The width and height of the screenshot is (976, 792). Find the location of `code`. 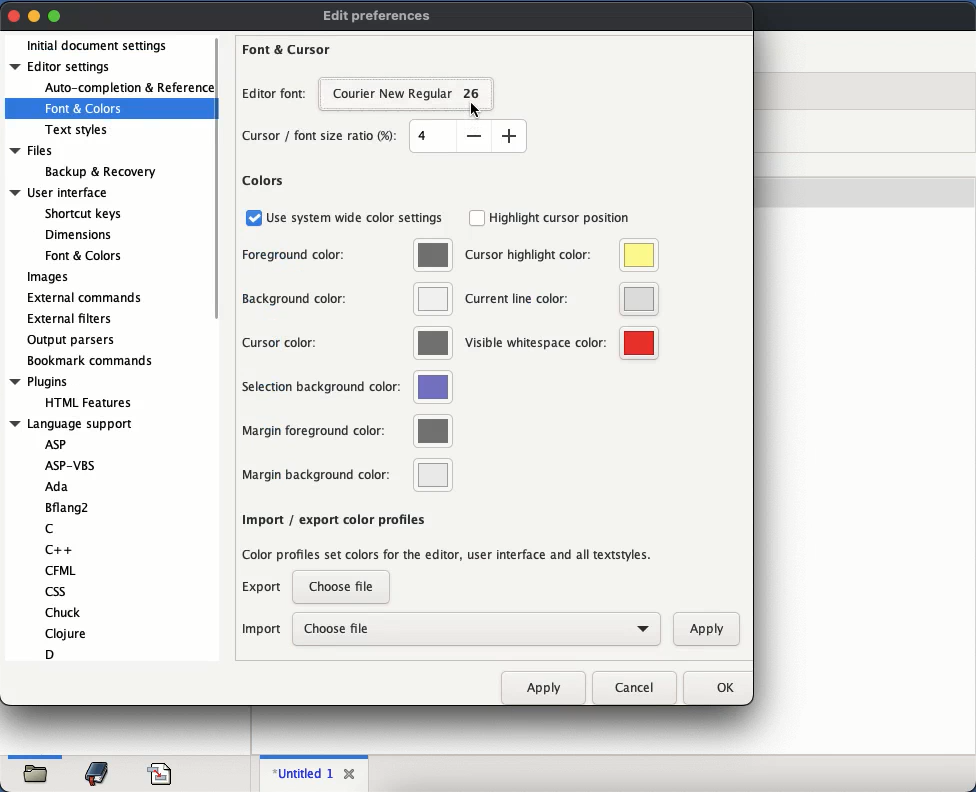

code is located at coordinates (160, 771).